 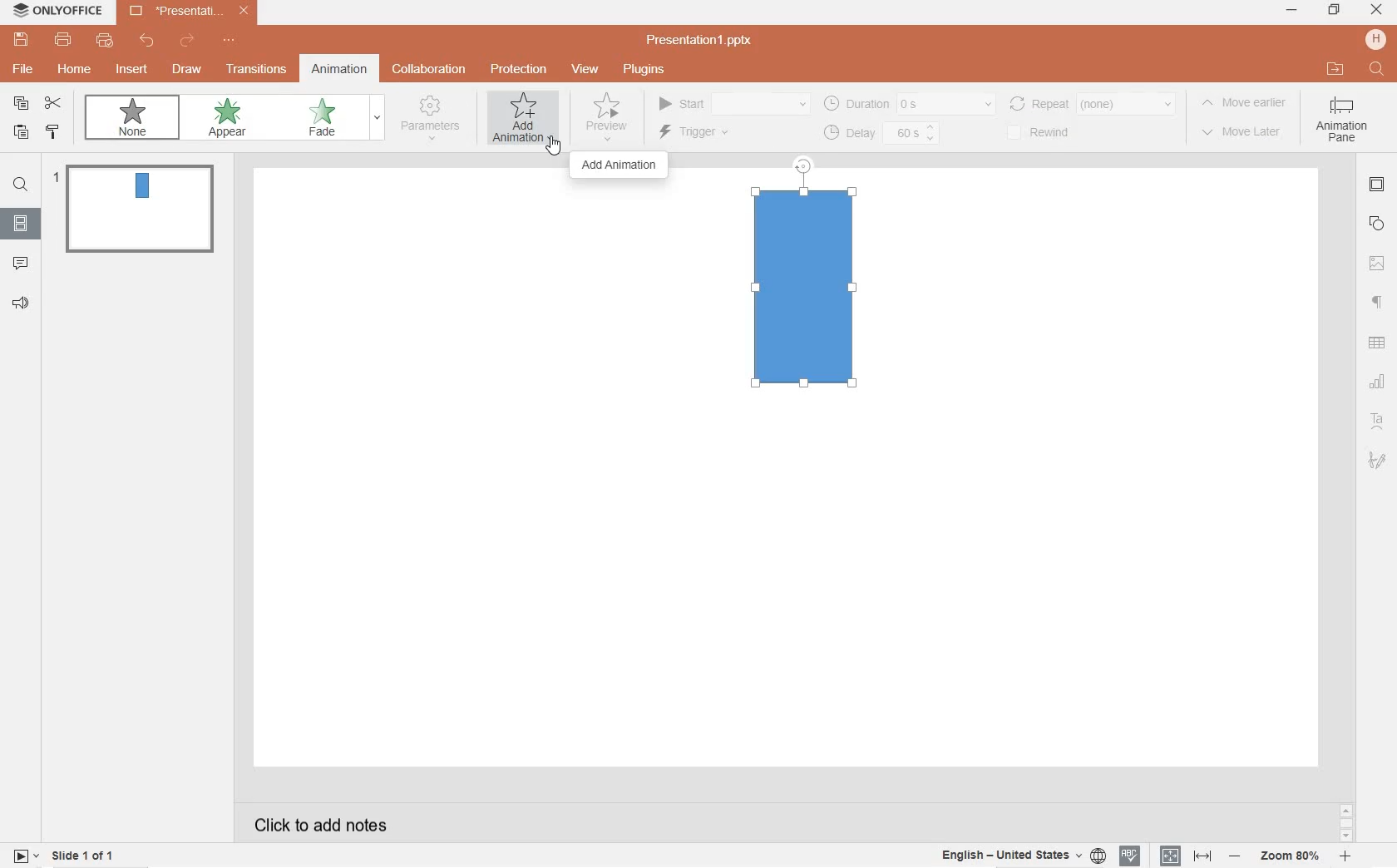 What do you see at coordinates (20, 303) in the screenshot?
I see `feedback & support` at bounding box center [20, 303].